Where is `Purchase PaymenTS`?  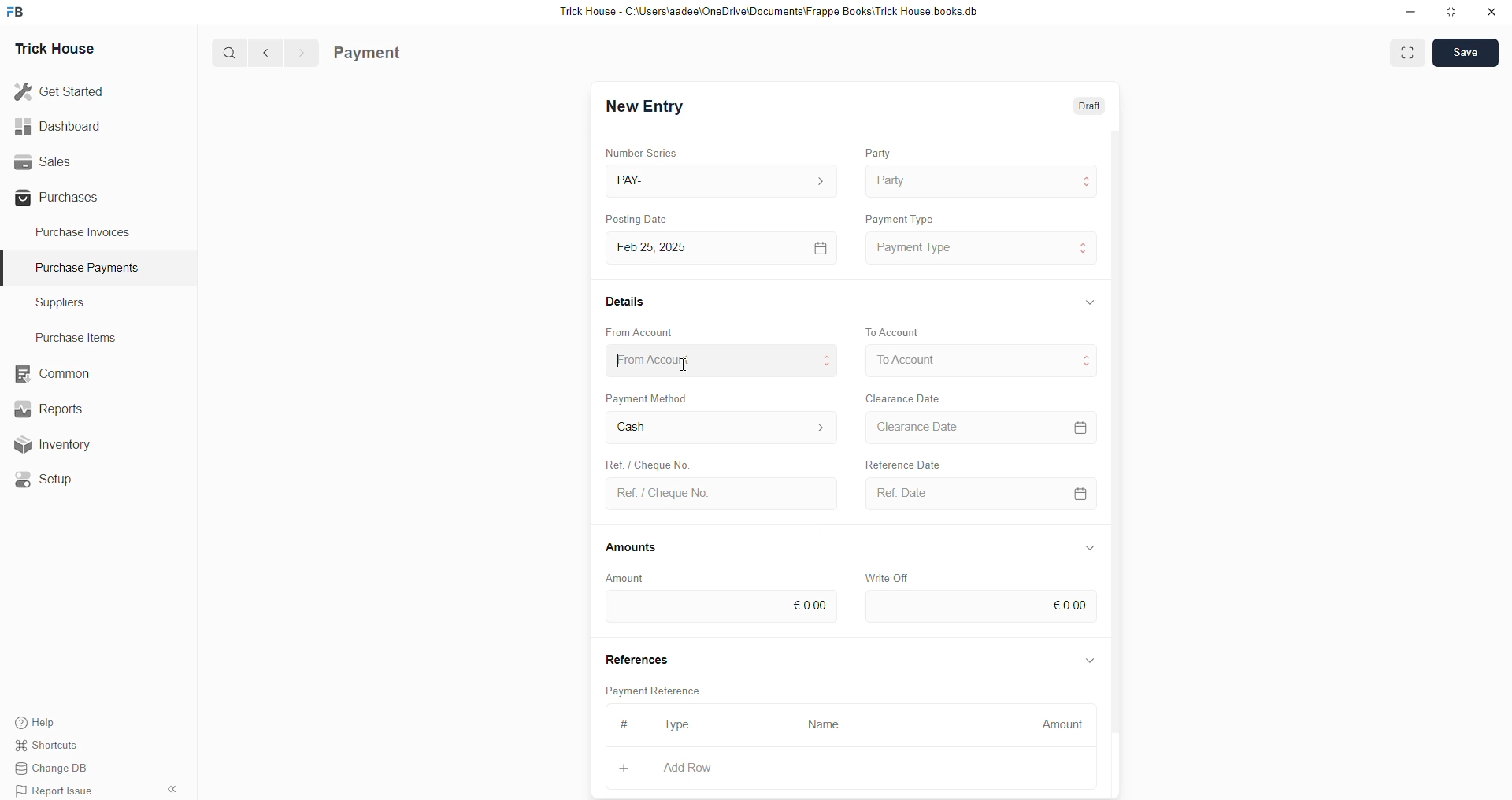 Purchase PaymenTS is located at coordinates (83, 268).